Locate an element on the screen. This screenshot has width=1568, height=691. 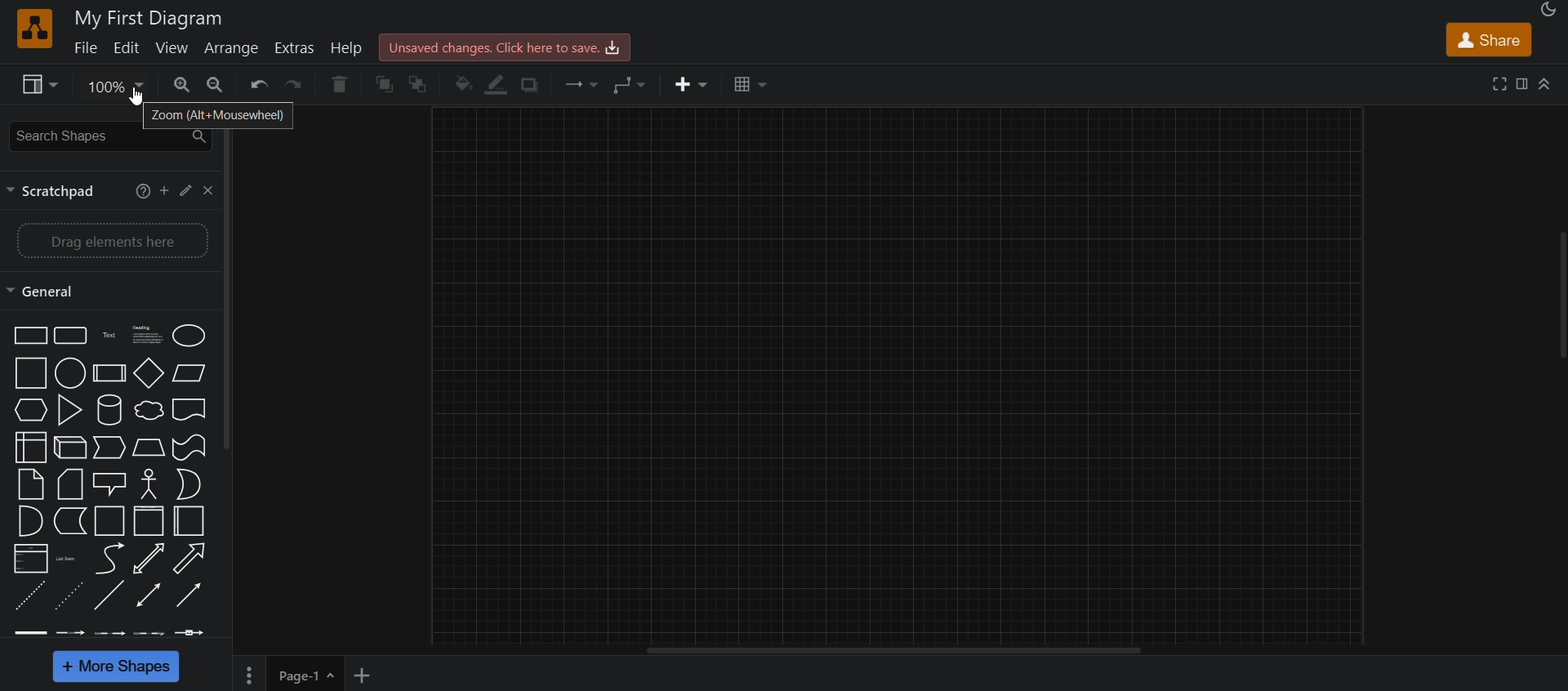
table is located at coordinates (748, 86).